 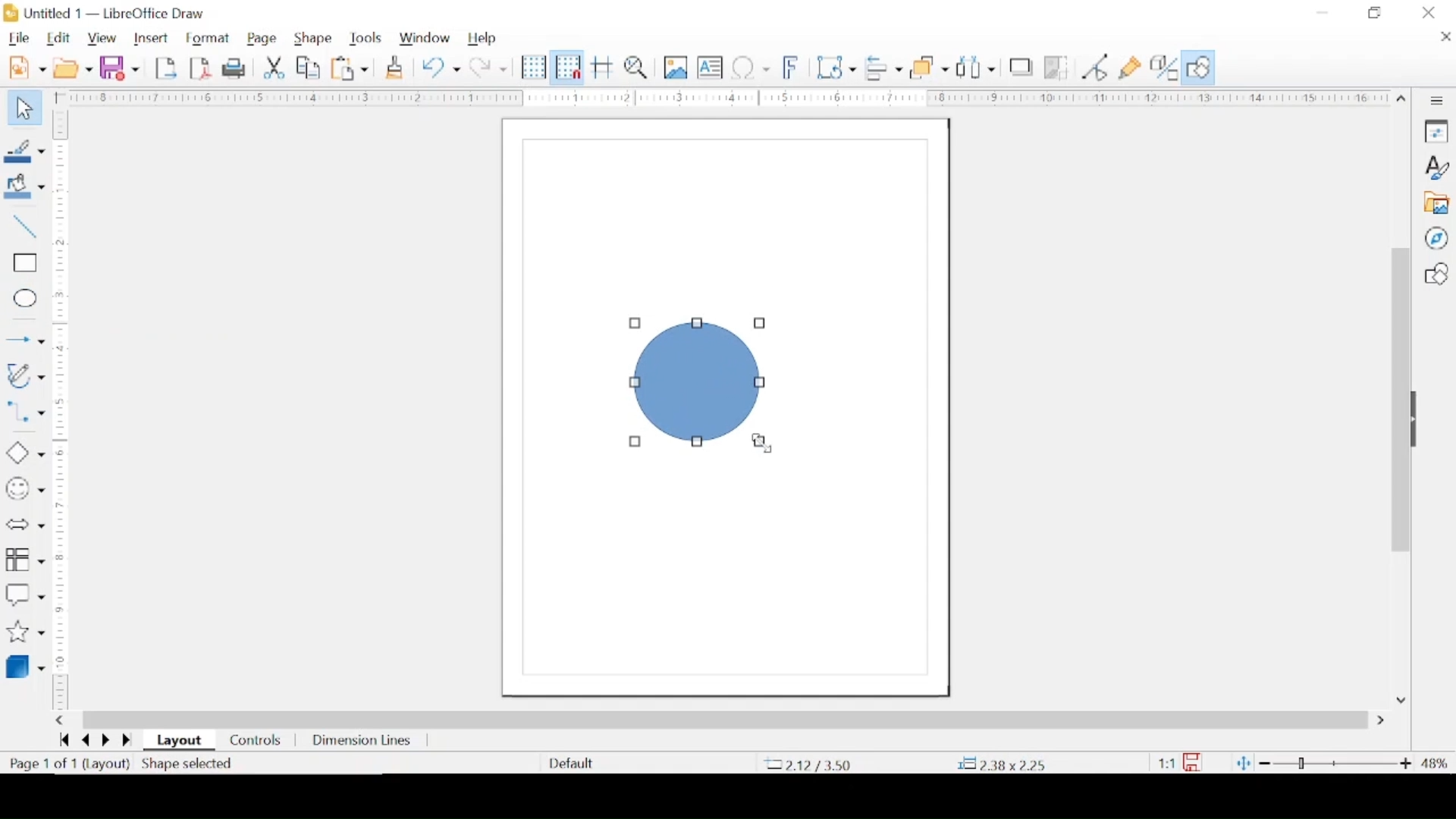 What do you see at coordinates (24, 151) in the screenshot?
I see `line color` at bounding box center [24, 151].